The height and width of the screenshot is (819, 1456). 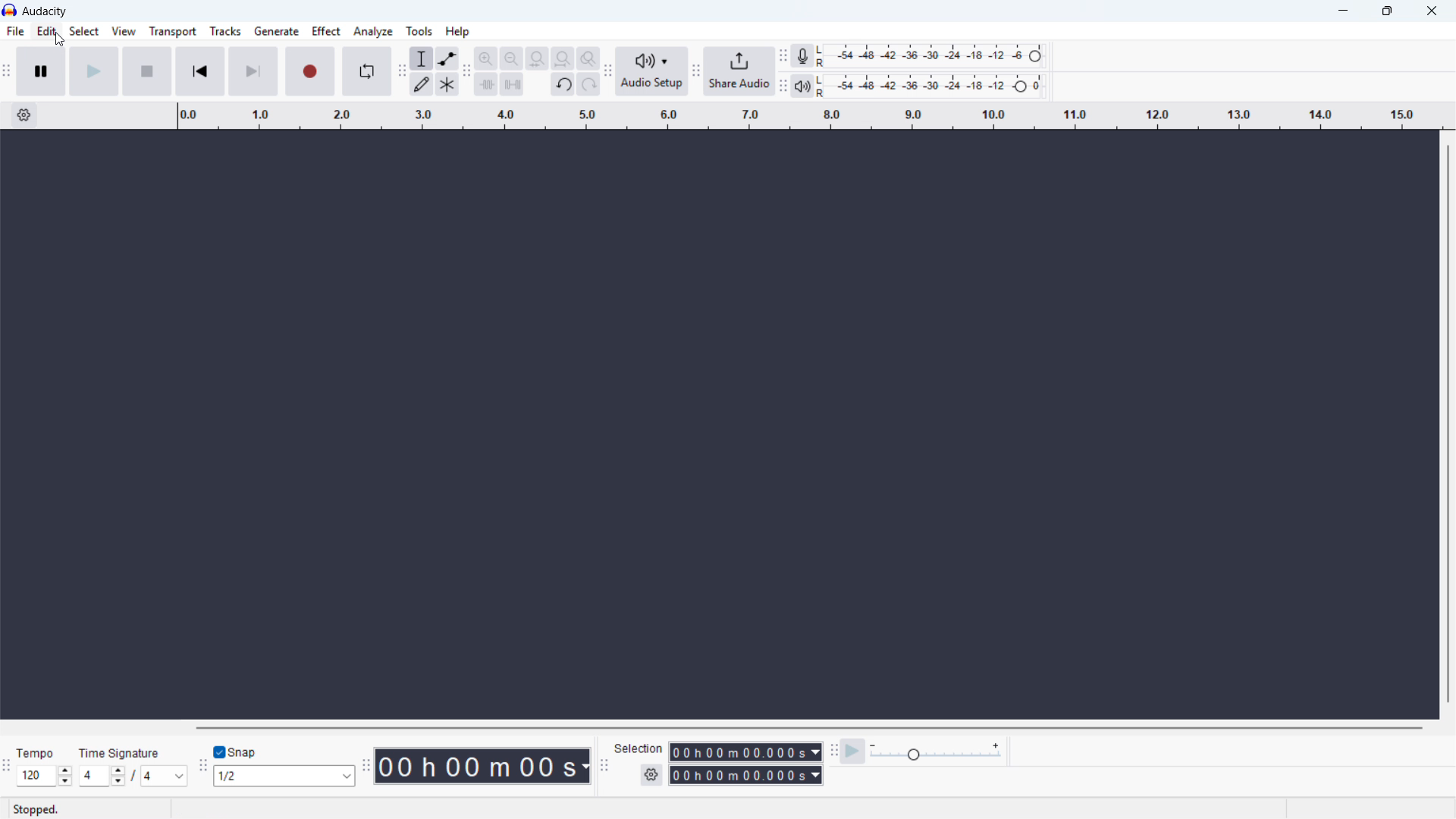 What do you see at coordinates (807, 728) in the screenshot?
I see `horizontal scrollbar` at bounding box center [807, 728].